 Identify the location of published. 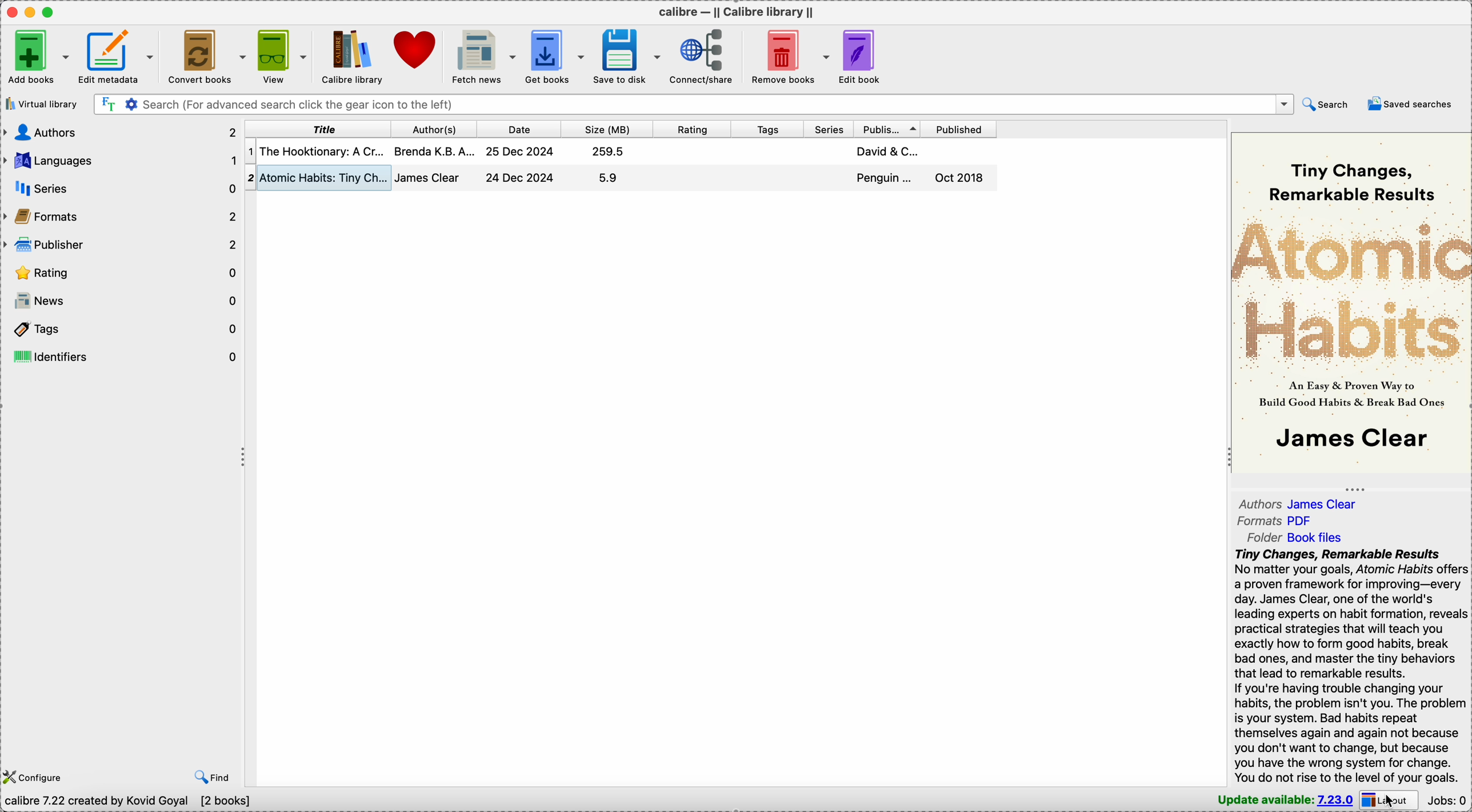
(961, 129).